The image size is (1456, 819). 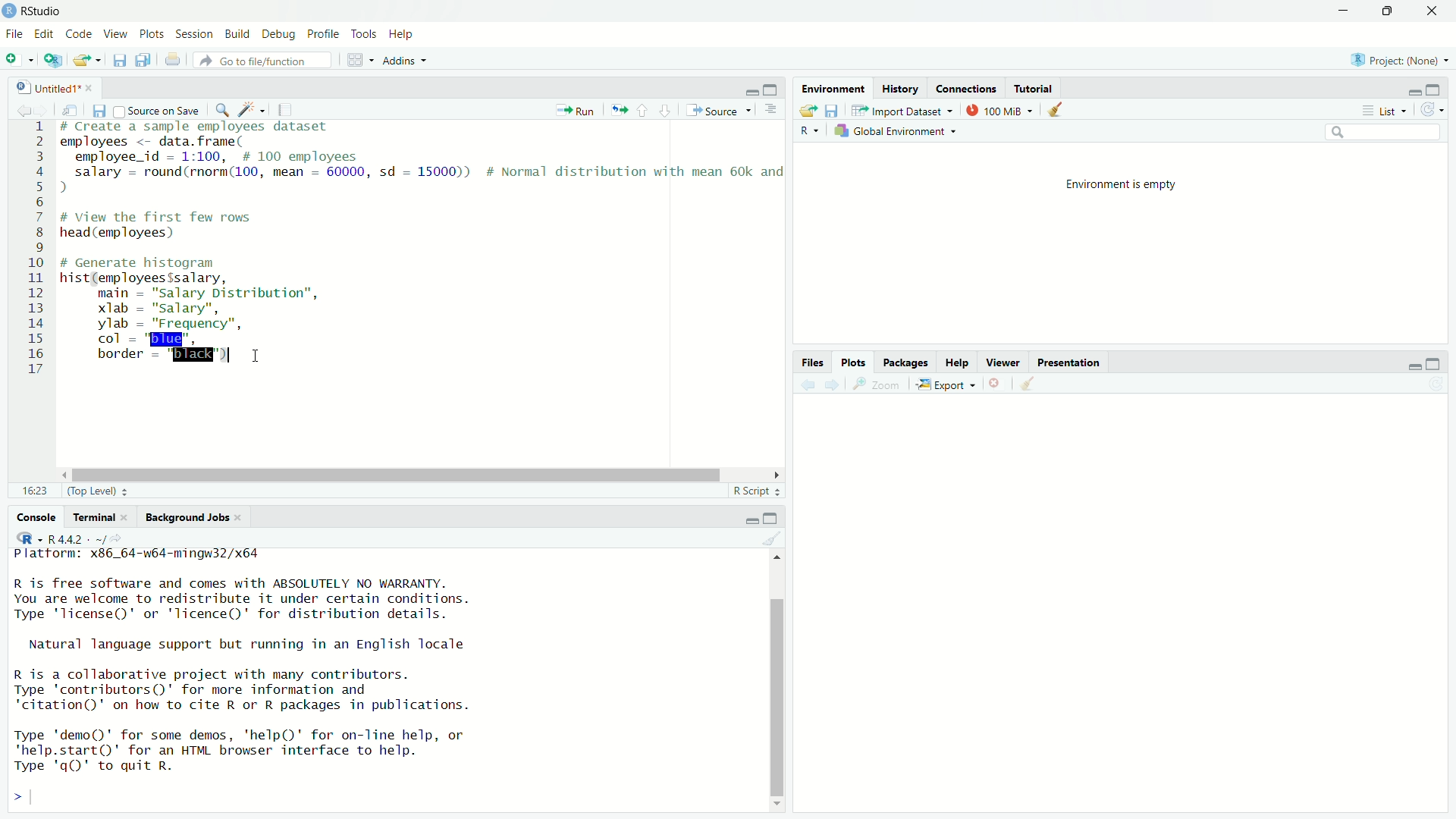 I want to click on clean, so click(x=1055, y=109).